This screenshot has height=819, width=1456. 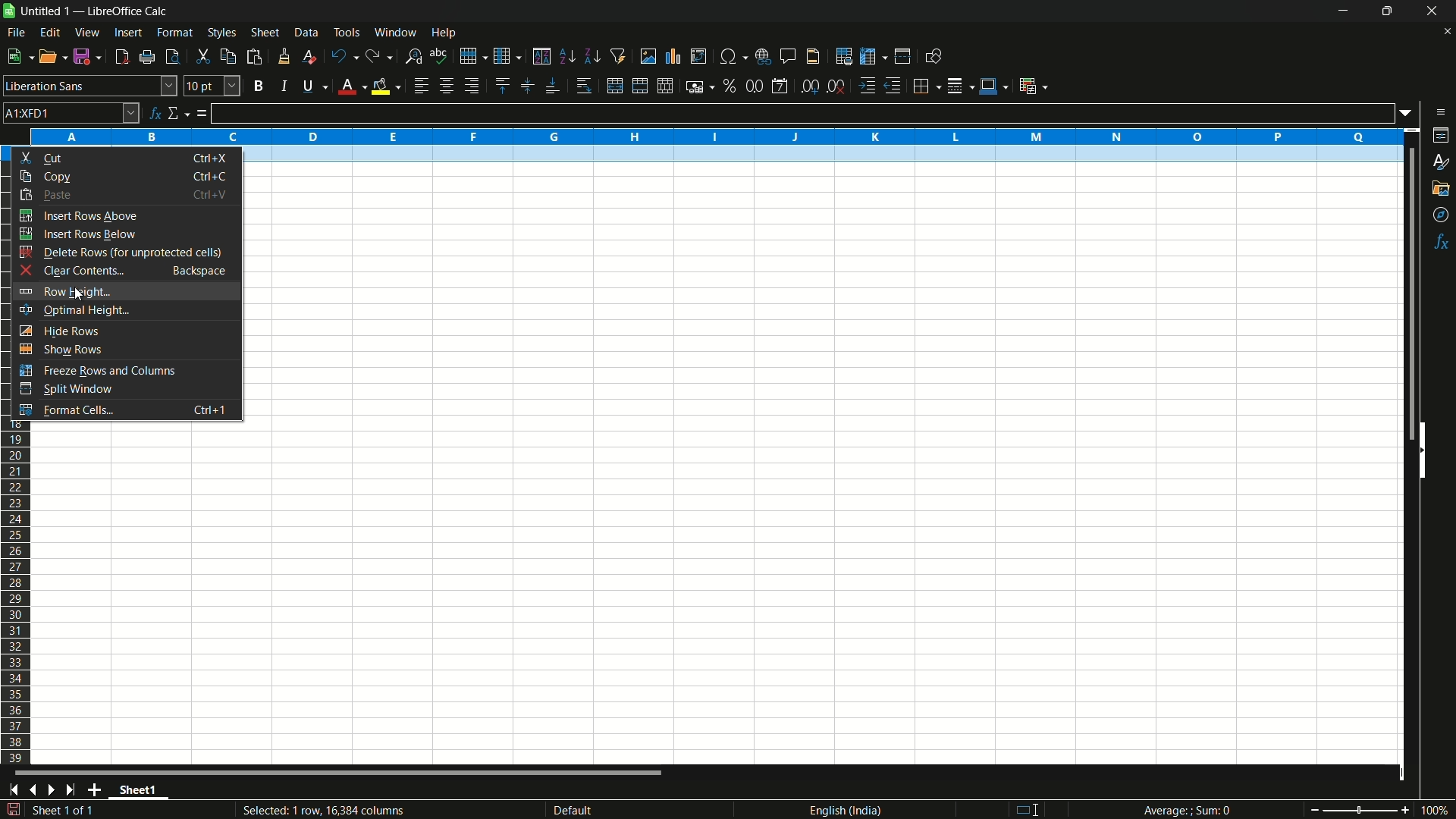 What do you see at coordinates (841, 810) in the screenshot?
I see `language english(india)` at bounding box center [841, 810].